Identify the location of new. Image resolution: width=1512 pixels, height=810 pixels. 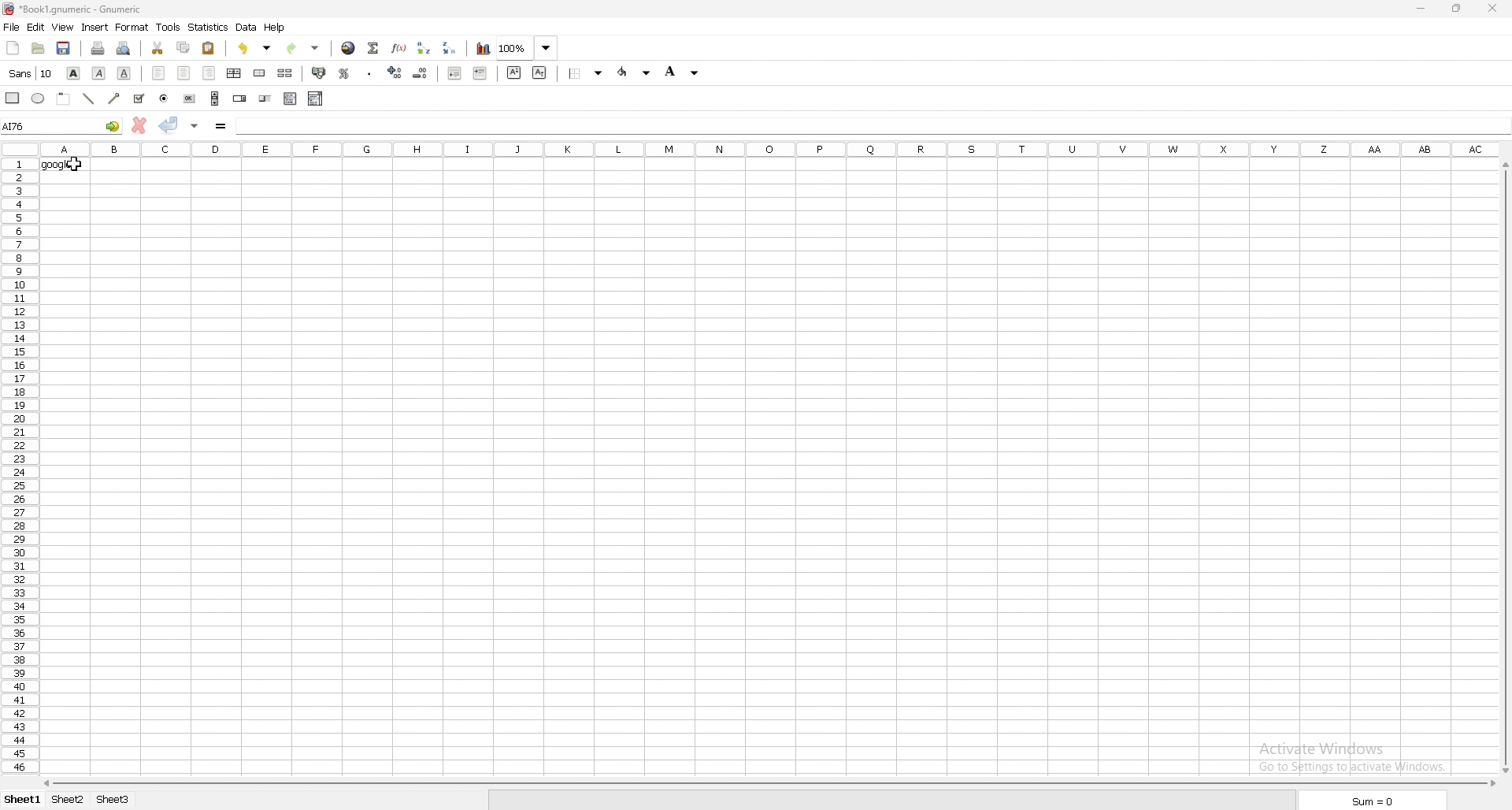
(13, 48).